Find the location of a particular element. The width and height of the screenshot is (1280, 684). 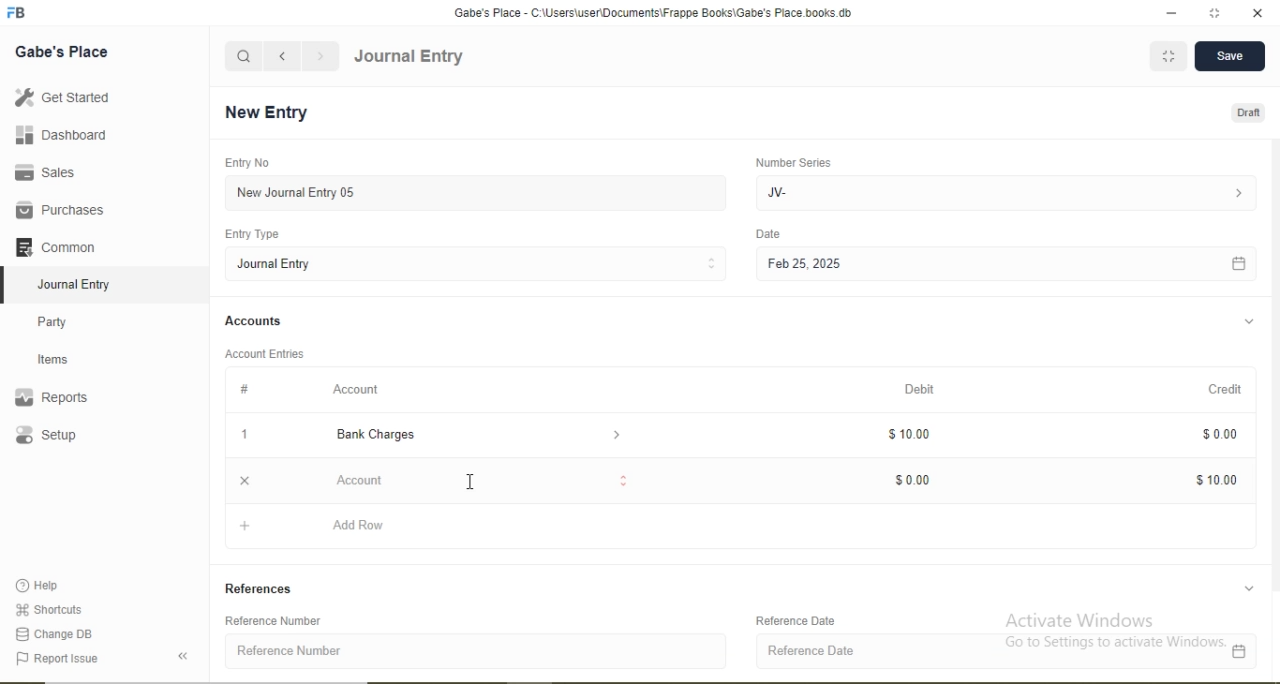

Bank Charges is located at coordinates (468, 435).